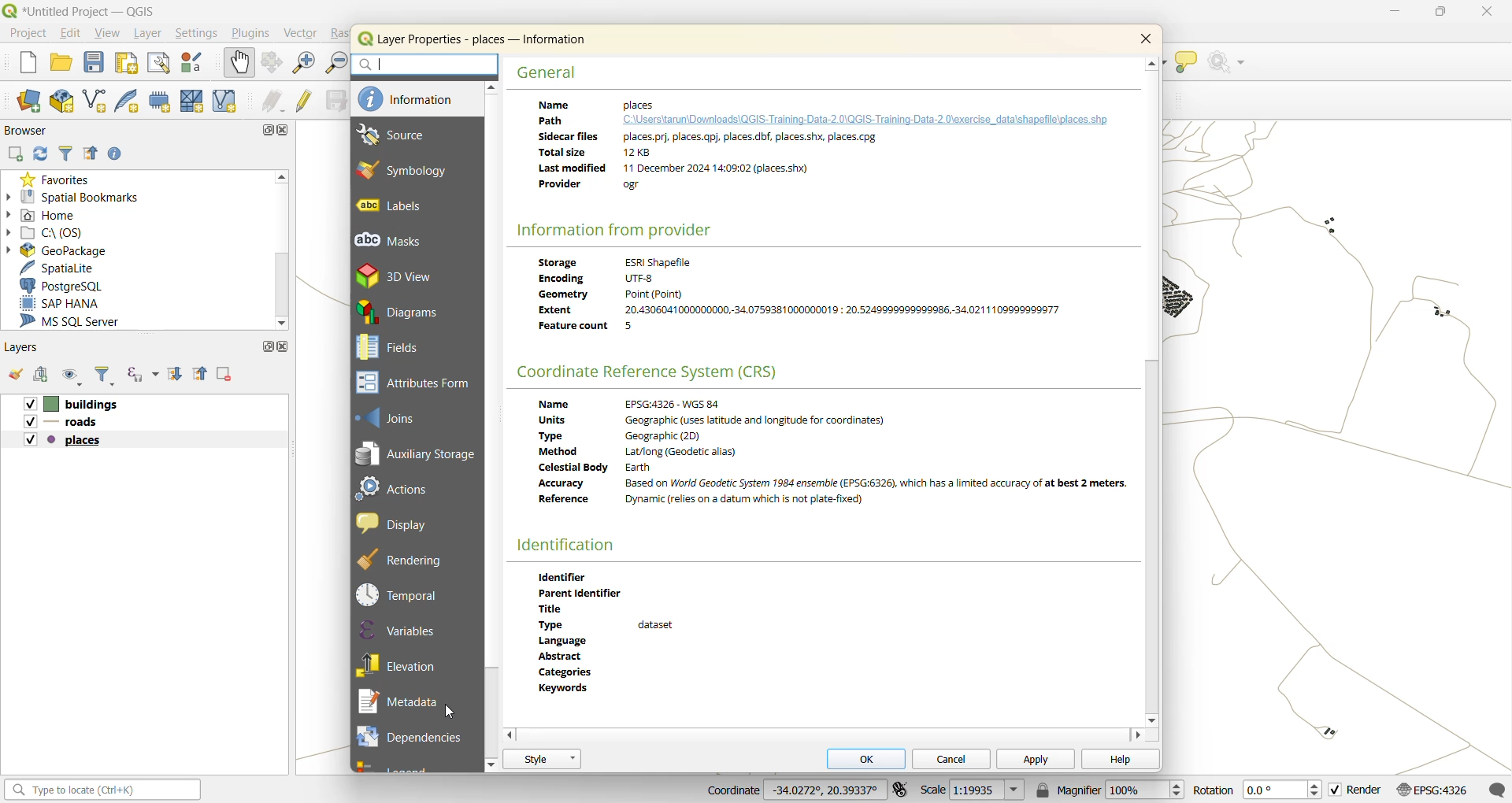 This screenshot has height=803, width=1512. I want to click on close, so click(1484, 16).